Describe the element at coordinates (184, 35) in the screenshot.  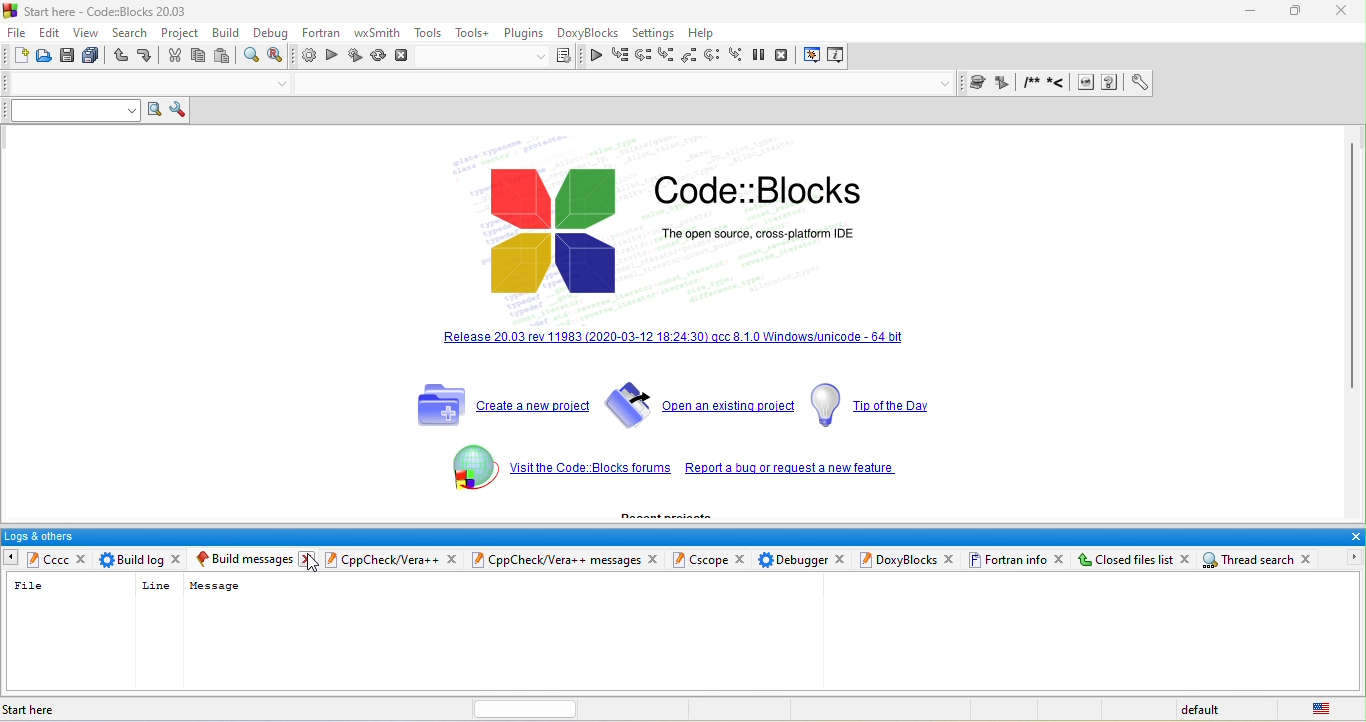
I see `project` at that location.